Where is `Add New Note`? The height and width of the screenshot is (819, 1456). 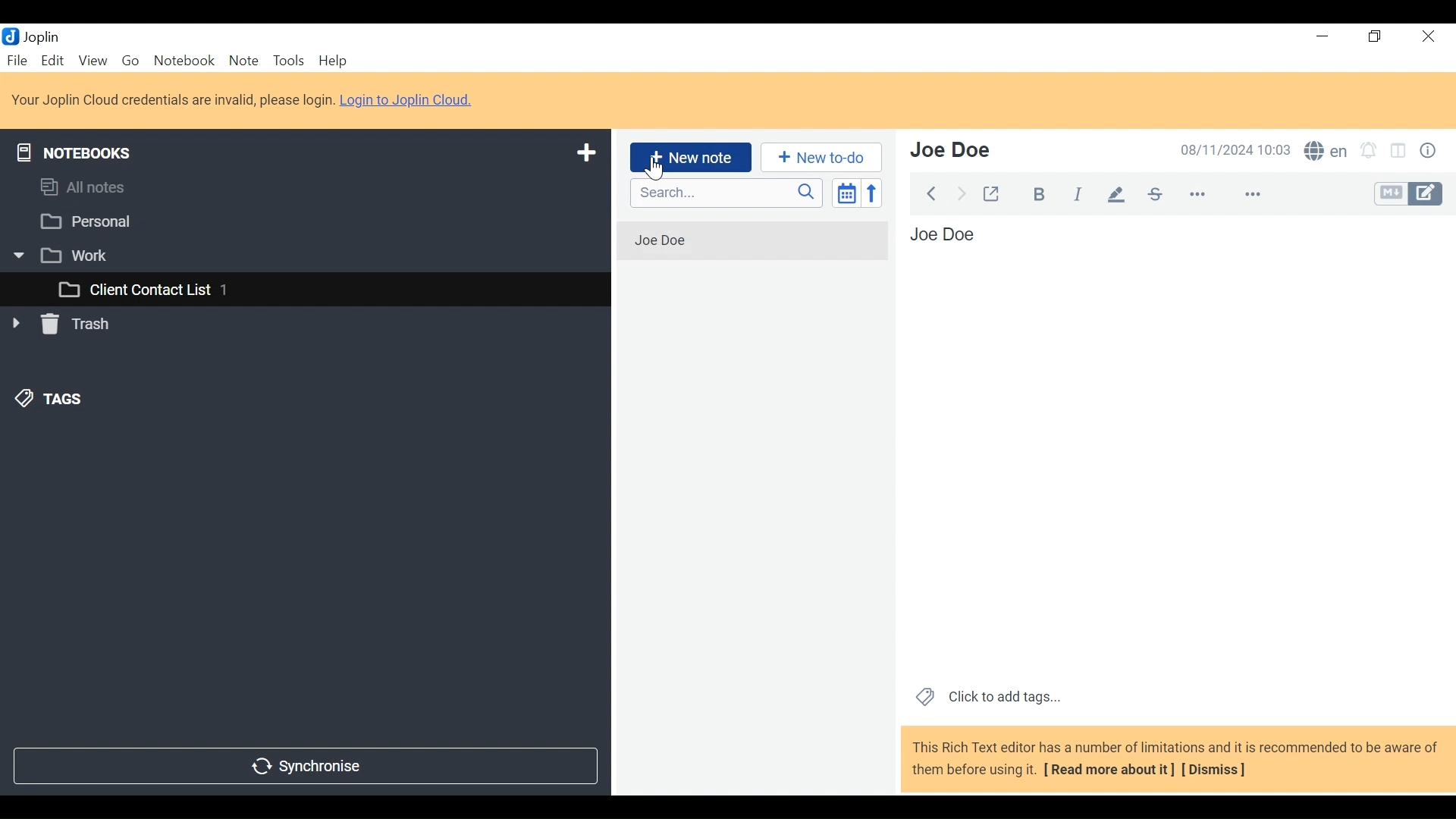
Add New Note is located at coordinates (690, 158).